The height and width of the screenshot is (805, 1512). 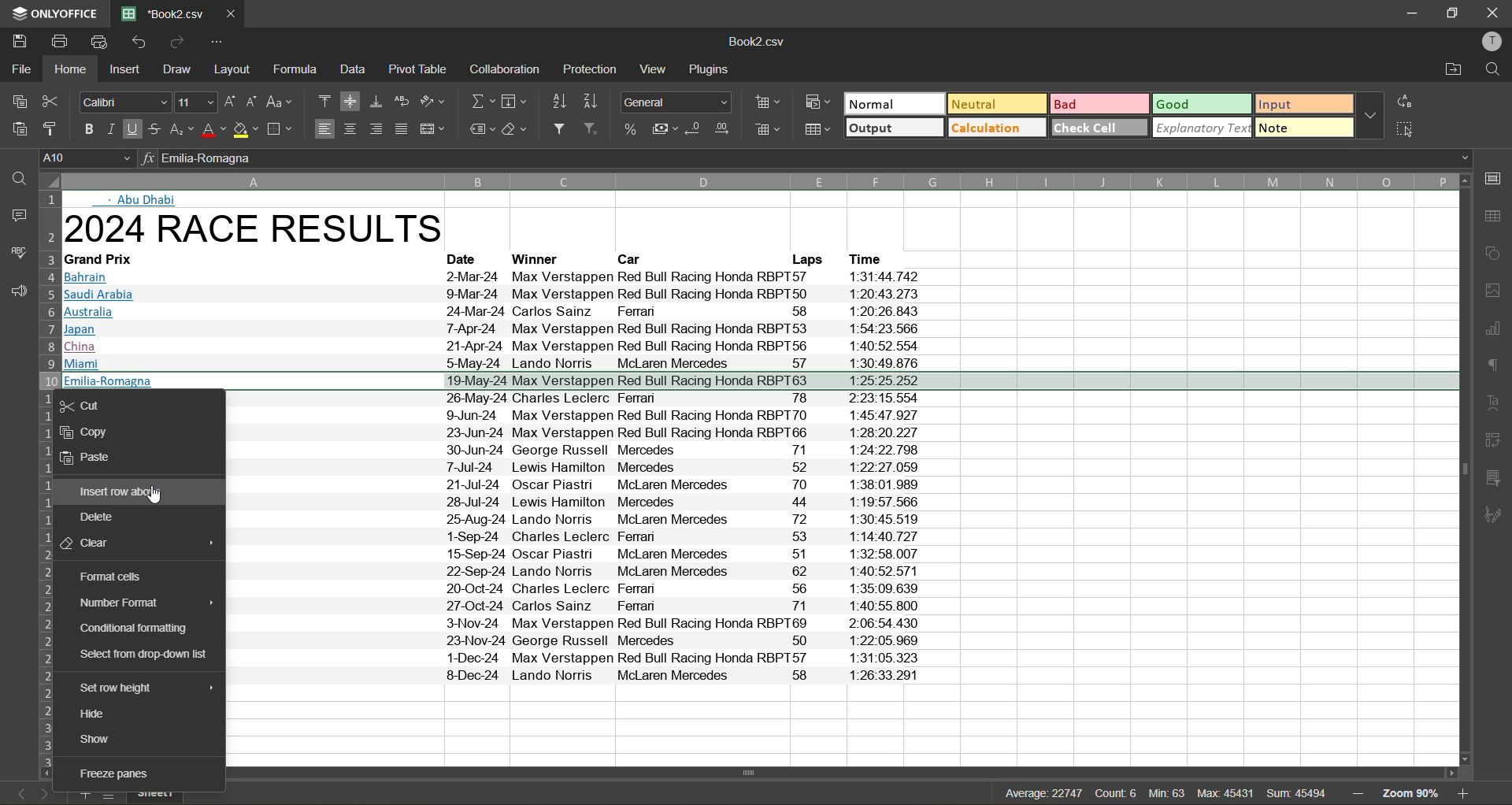 What do you see at coordinates (280, 131) in the screenshot?
I see `borders` at bounding box center [280, 131].